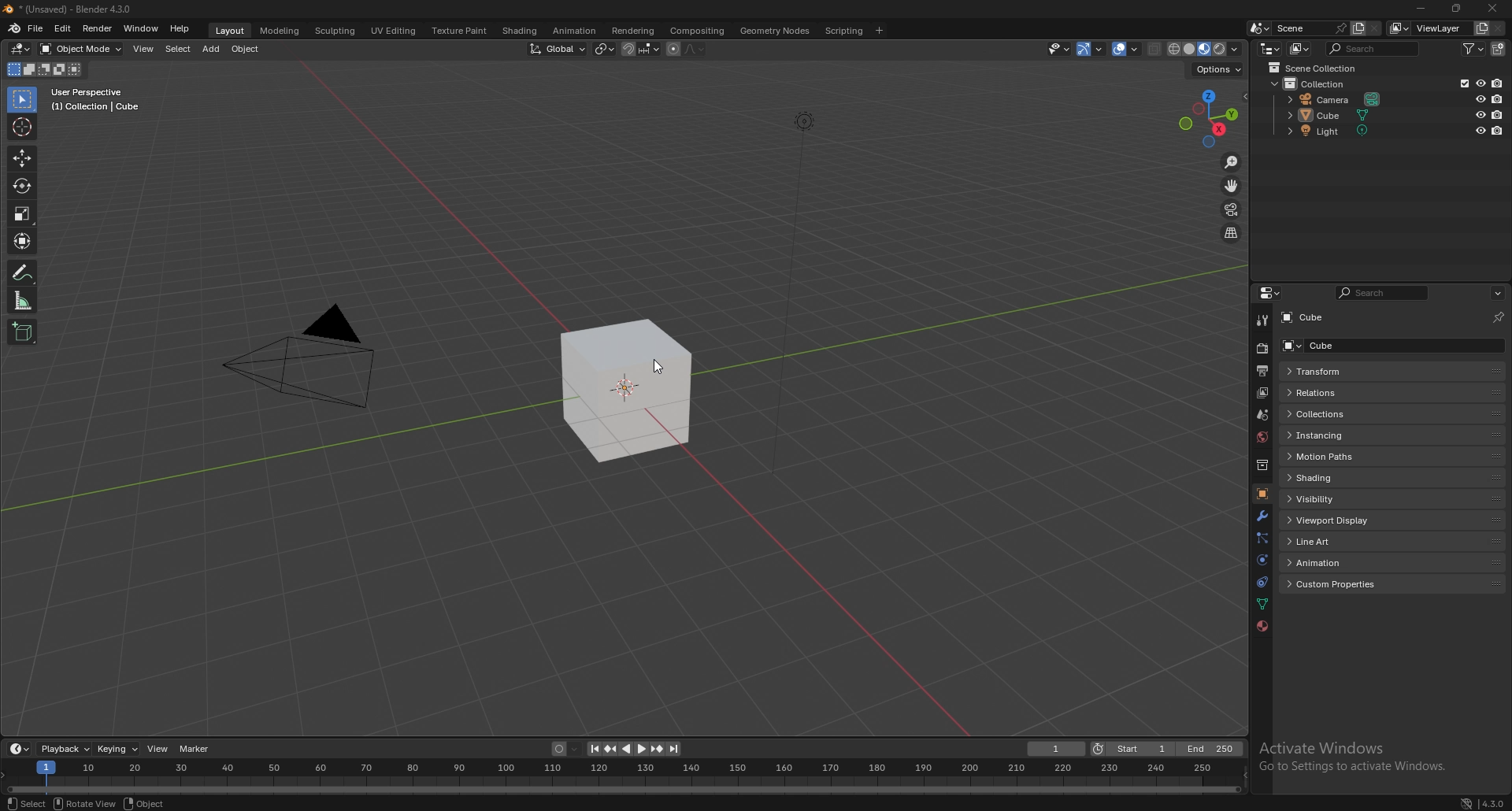 This screenshot has height=811, width=1512. I want to click on exclude from view layer, so click(1462, 83).